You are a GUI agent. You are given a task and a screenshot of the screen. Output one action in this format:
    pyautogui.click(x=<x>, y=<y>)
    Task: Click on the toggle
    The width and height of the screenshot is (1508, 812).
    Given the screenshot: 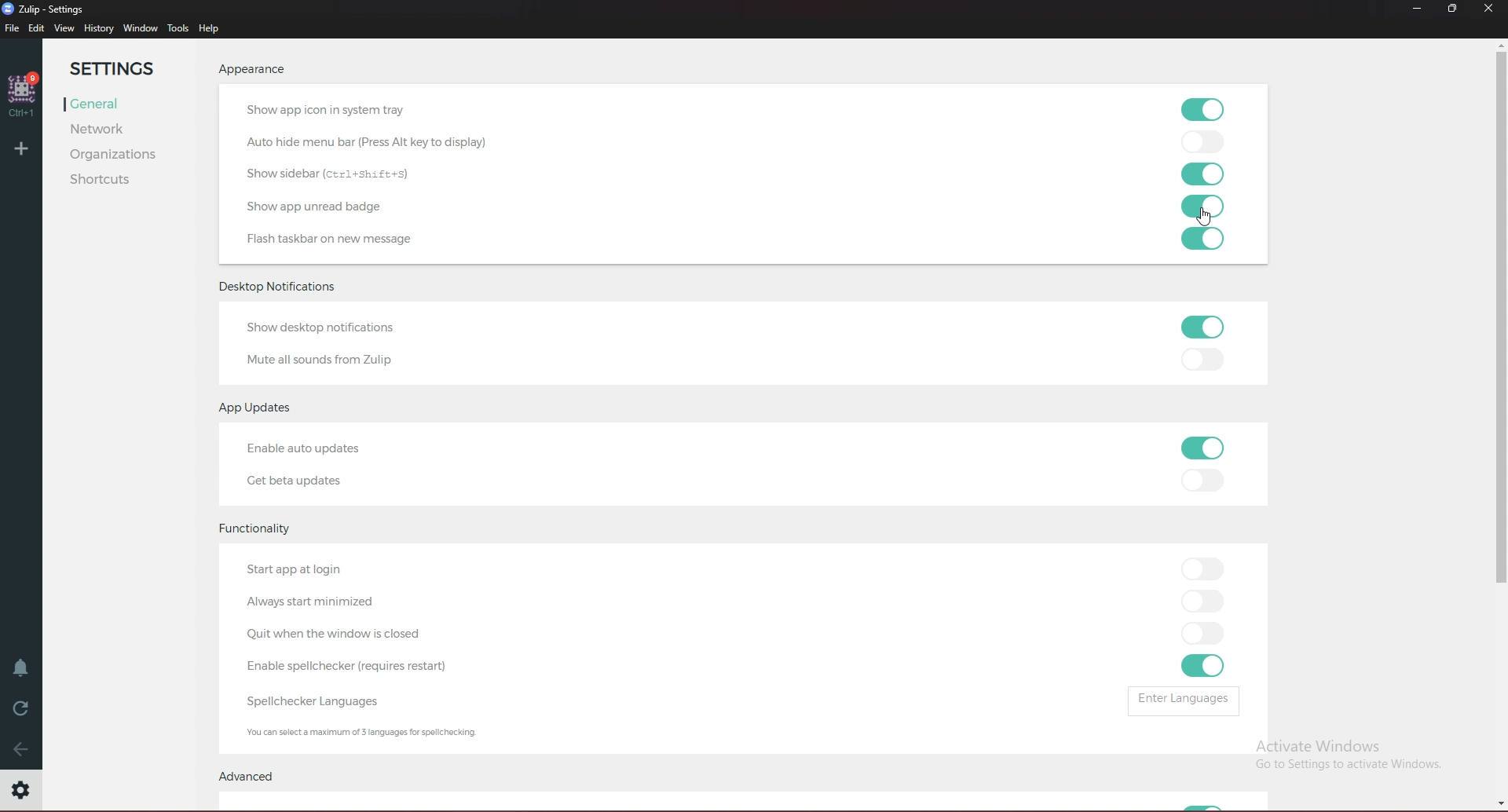 What is the action you would take?
    pyautogui.click(x=1207, y=634)
    